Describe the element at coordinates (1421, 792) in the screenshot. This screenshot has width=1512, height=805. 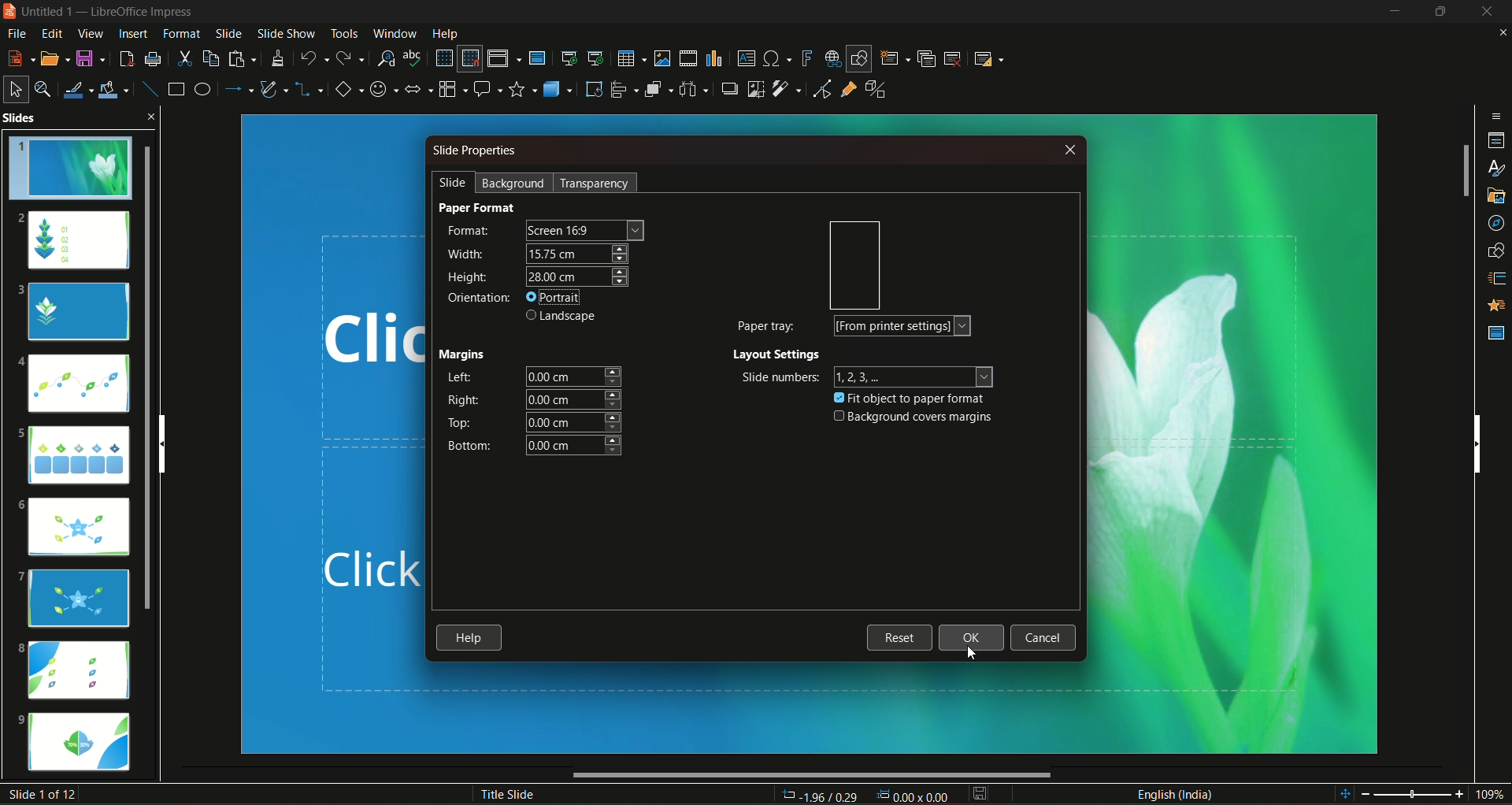
I see `zoom` at that location.